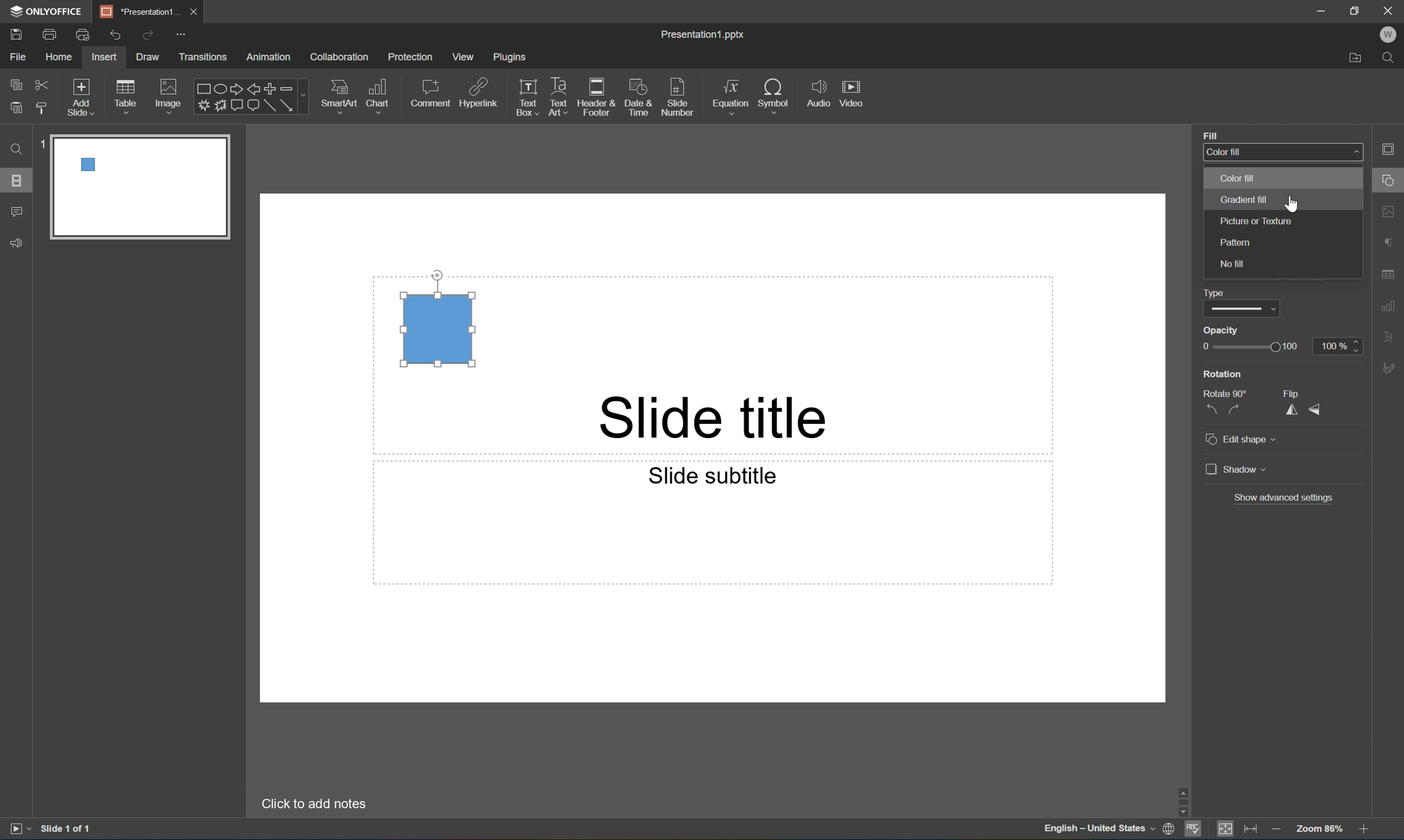  What do you see at coordinates (1242, 440) in the screenshot?
I see `Edit shape` at bounding box center [1242, 440].